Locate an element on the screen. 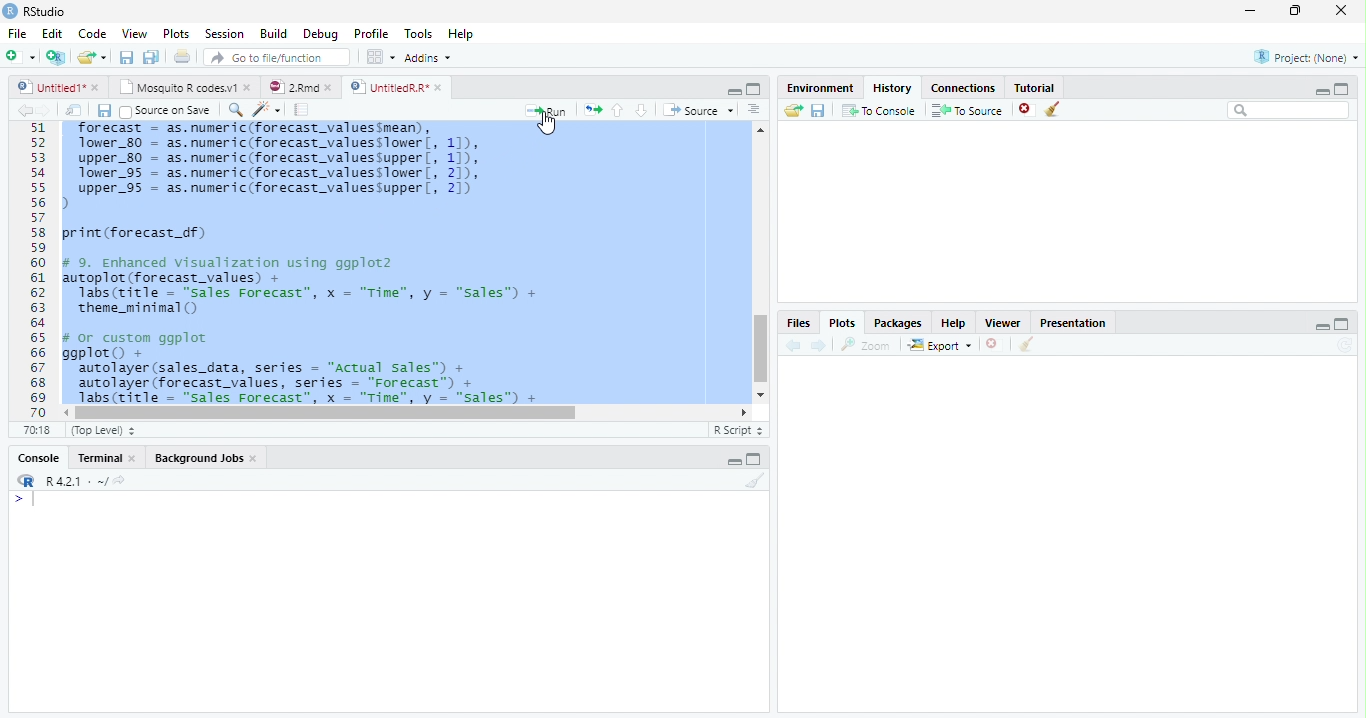 This screenshot has height=718, width=1366. Session is located at coordinates (226, 34).